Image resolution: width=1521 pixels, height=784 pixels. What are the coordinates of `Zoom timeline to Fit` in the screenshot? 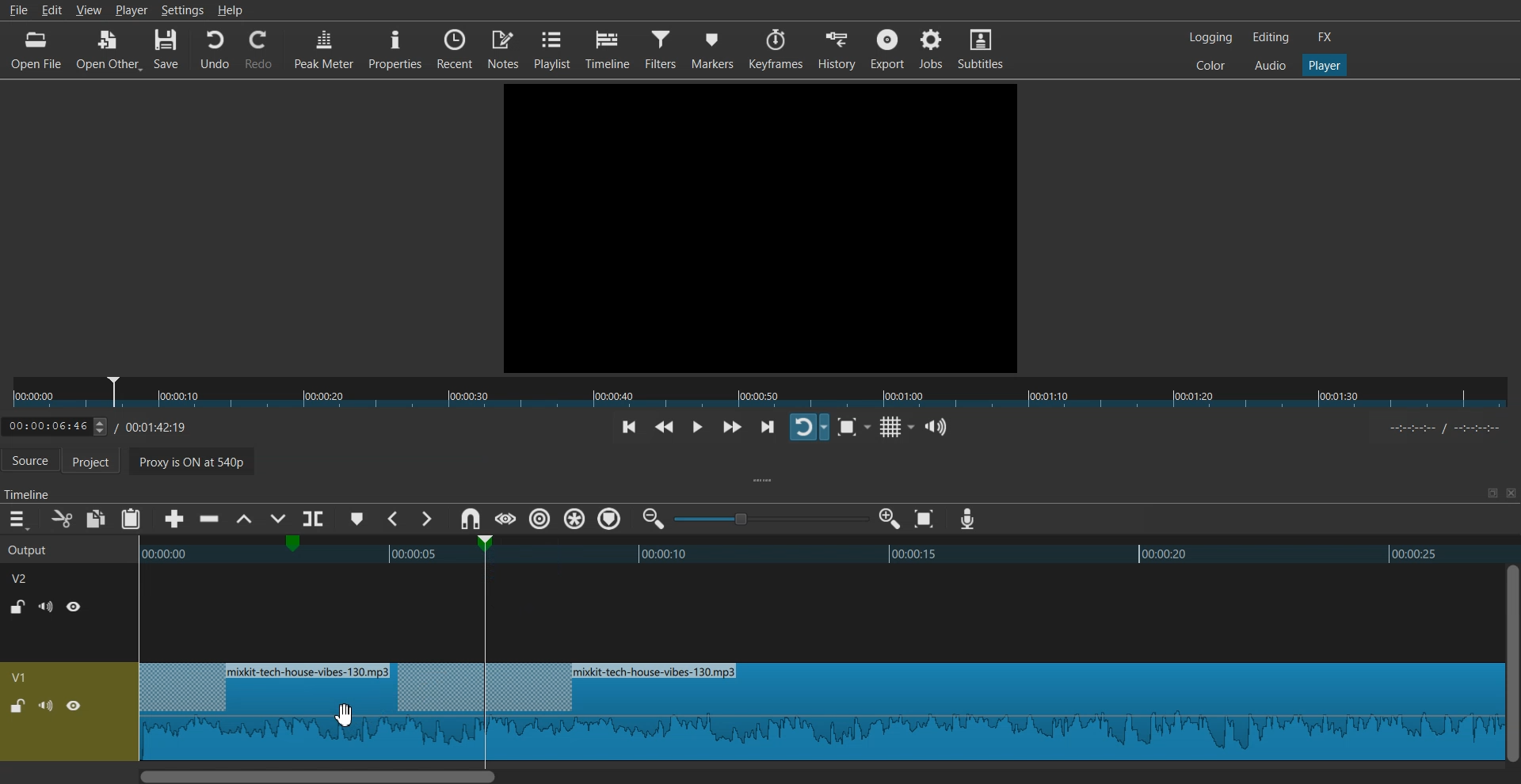 It's located at (924, 519).